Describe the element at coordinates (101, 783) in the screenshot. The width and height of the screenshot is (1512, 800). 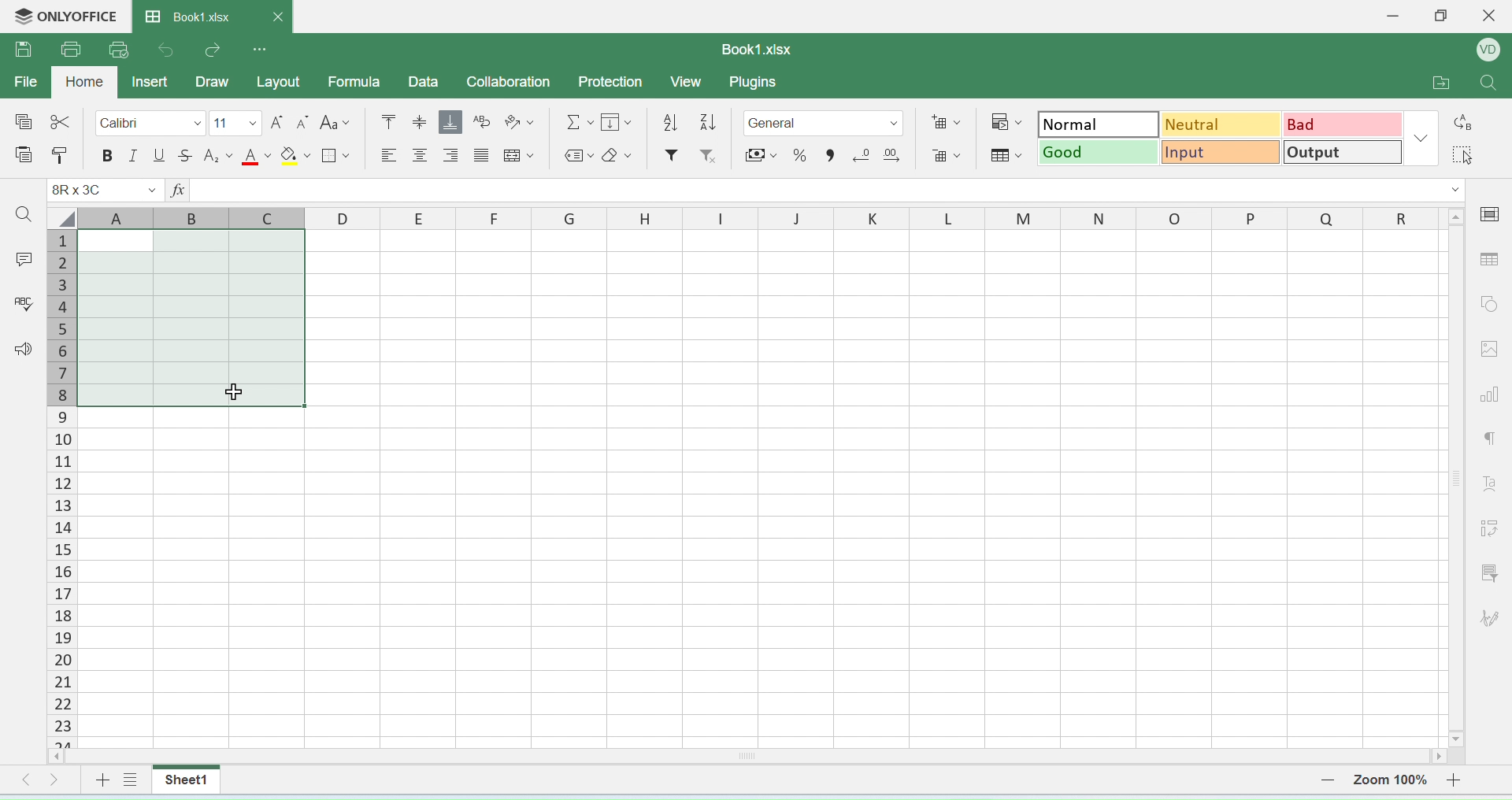
I see `add sheet` at that location.